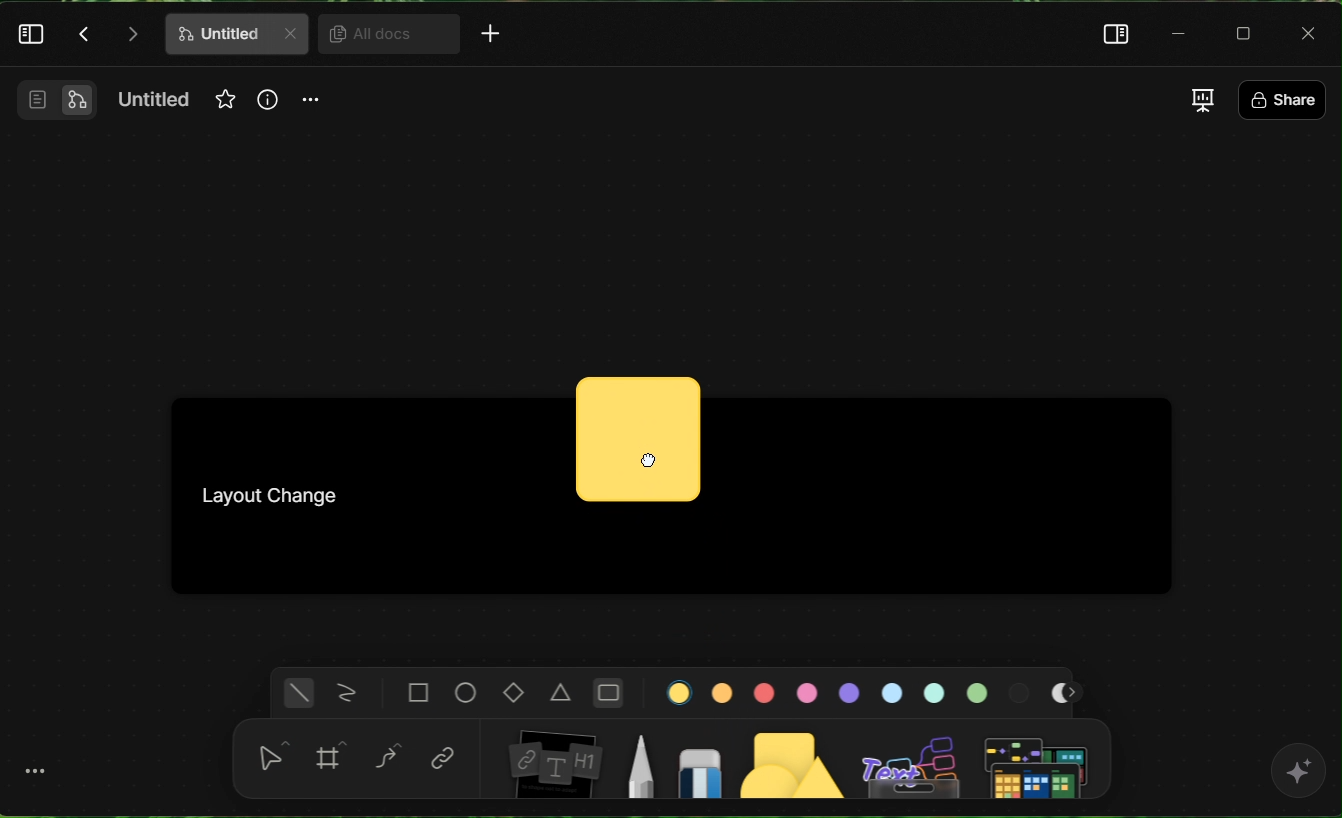  Describe the element at coordinates (344, 692) in the screenshot. I see `scribbled` at that location.